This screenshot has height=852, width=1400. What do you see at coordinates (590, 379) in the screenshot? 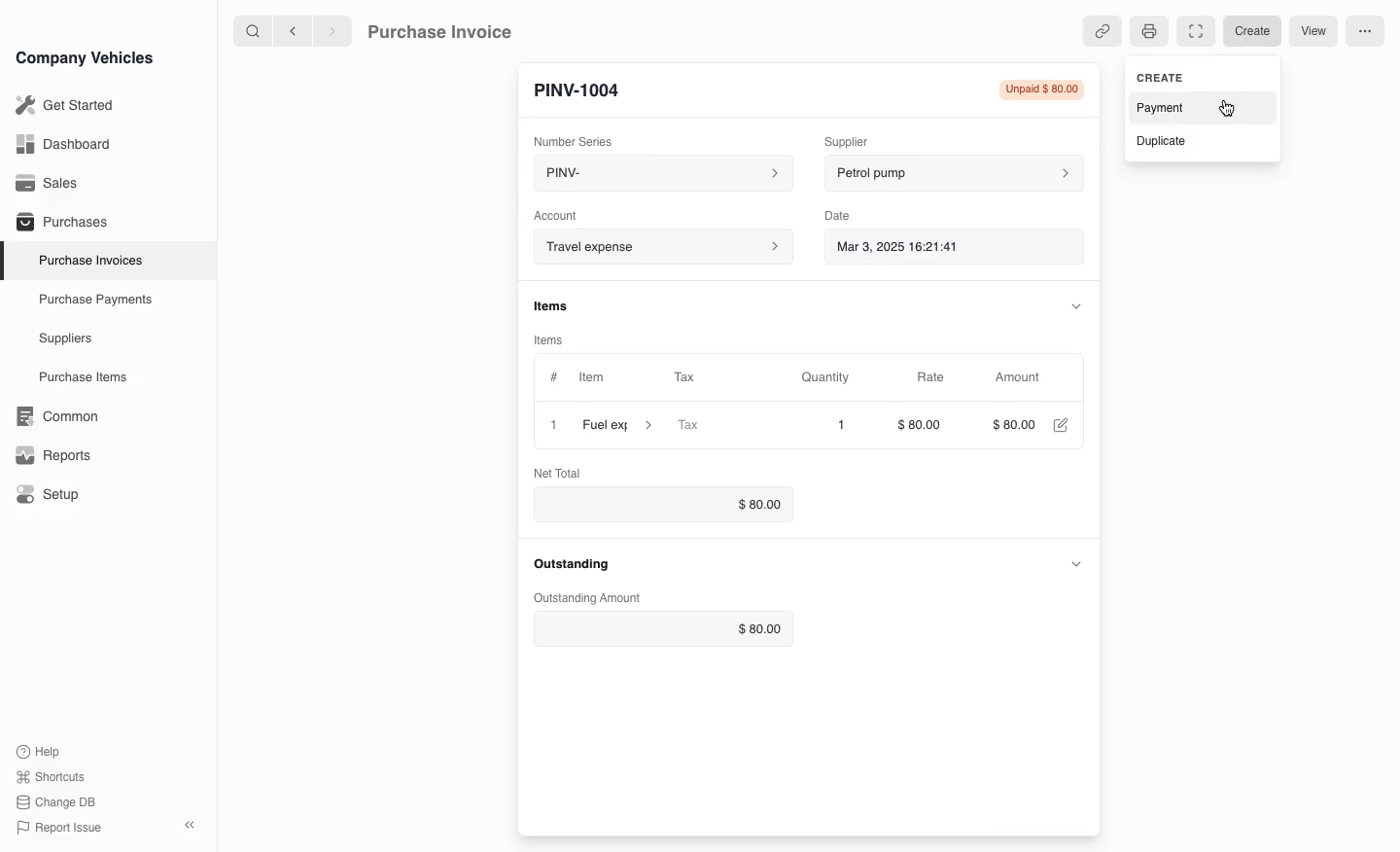
I see `Item` at bounding box center [590, 379].